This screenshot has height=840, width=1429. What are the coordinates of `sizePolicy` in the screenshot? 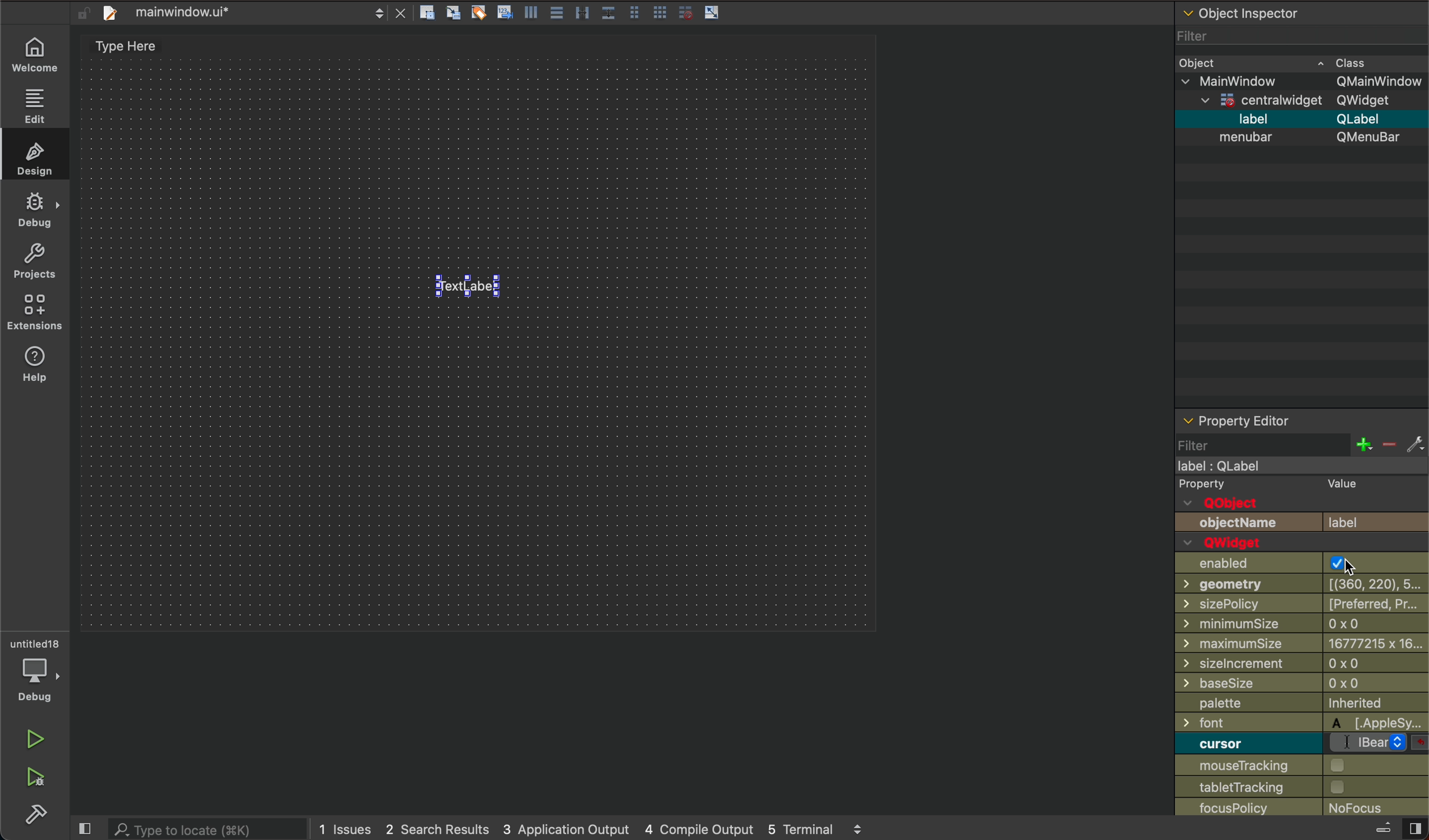 It's located at (1243, 604).